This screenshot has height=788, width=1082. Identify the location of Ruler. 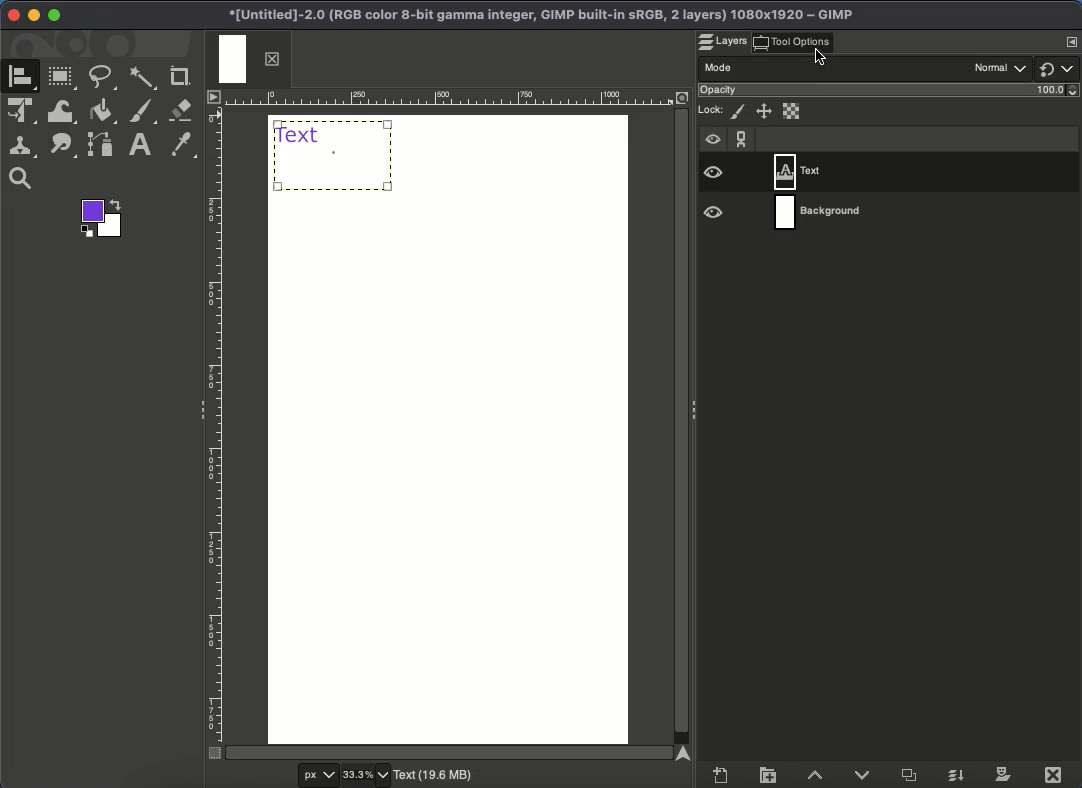
(214, 423).